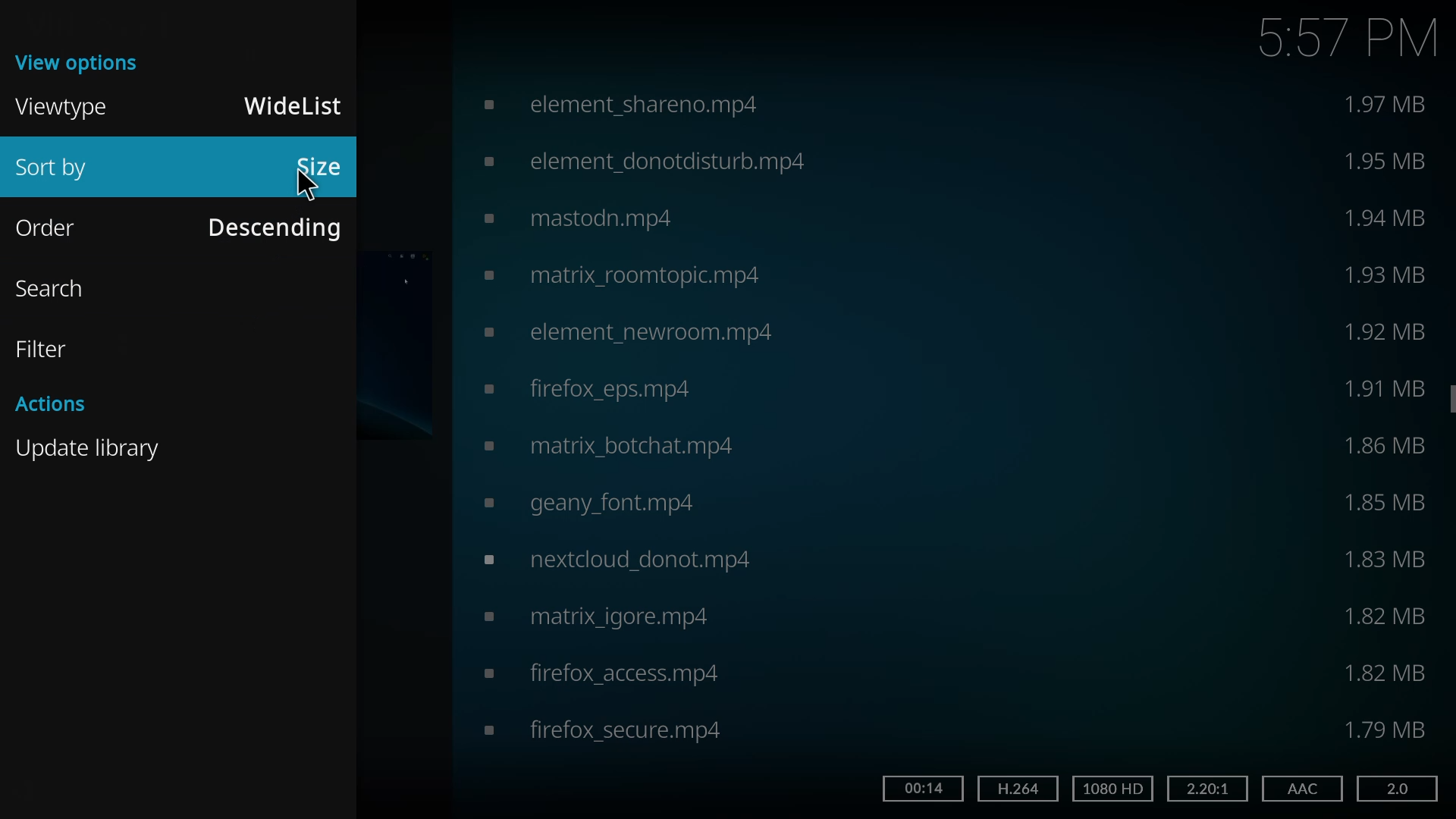 The height and width of the screenshot is (819, 1456). Describe the element at coordinates (48, 349) in the screenshot. I see `filter` at that location.